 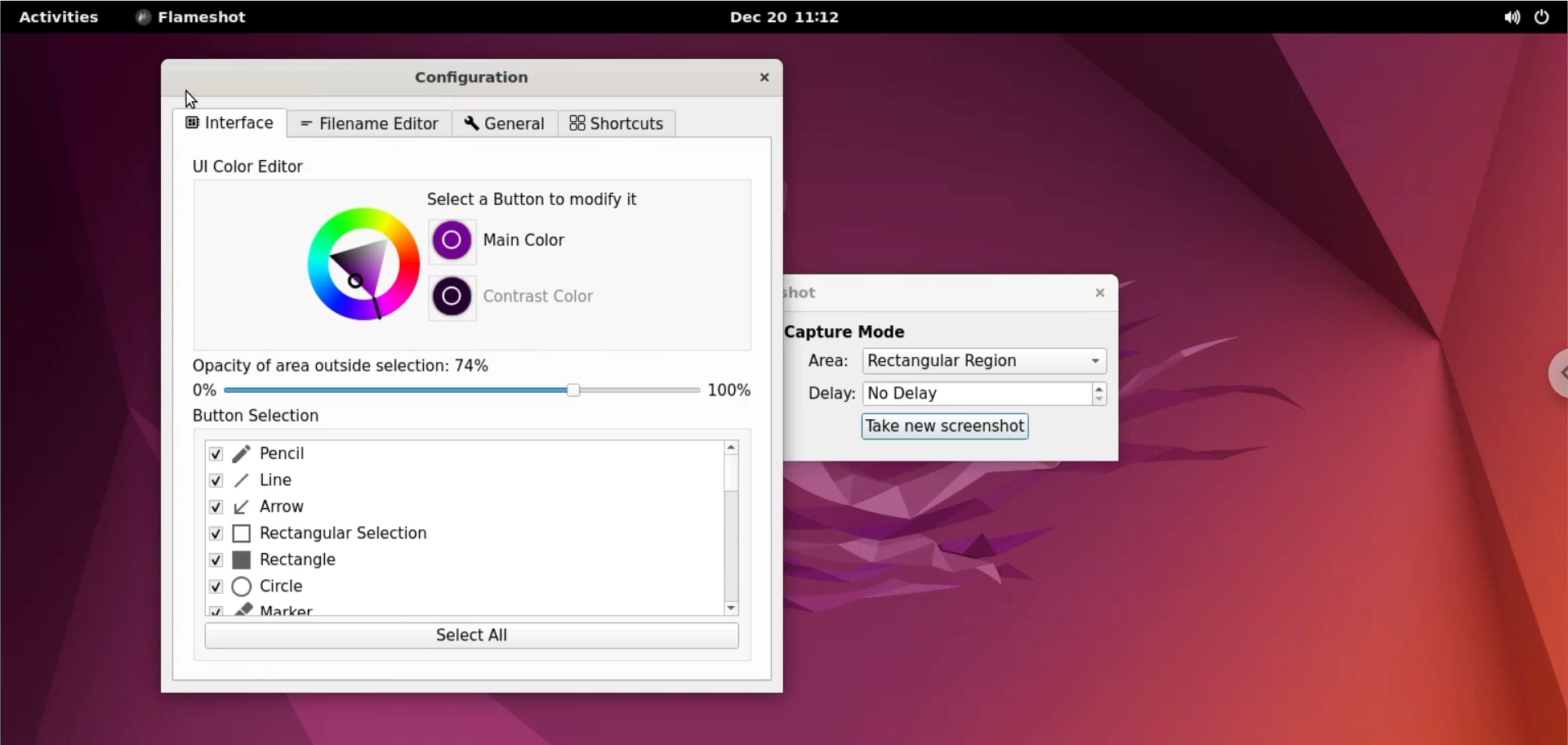 What do you see at coordinates (452, 456) in the screenshot?
I see `pencil checkbox` at bounding box center [452, 456].